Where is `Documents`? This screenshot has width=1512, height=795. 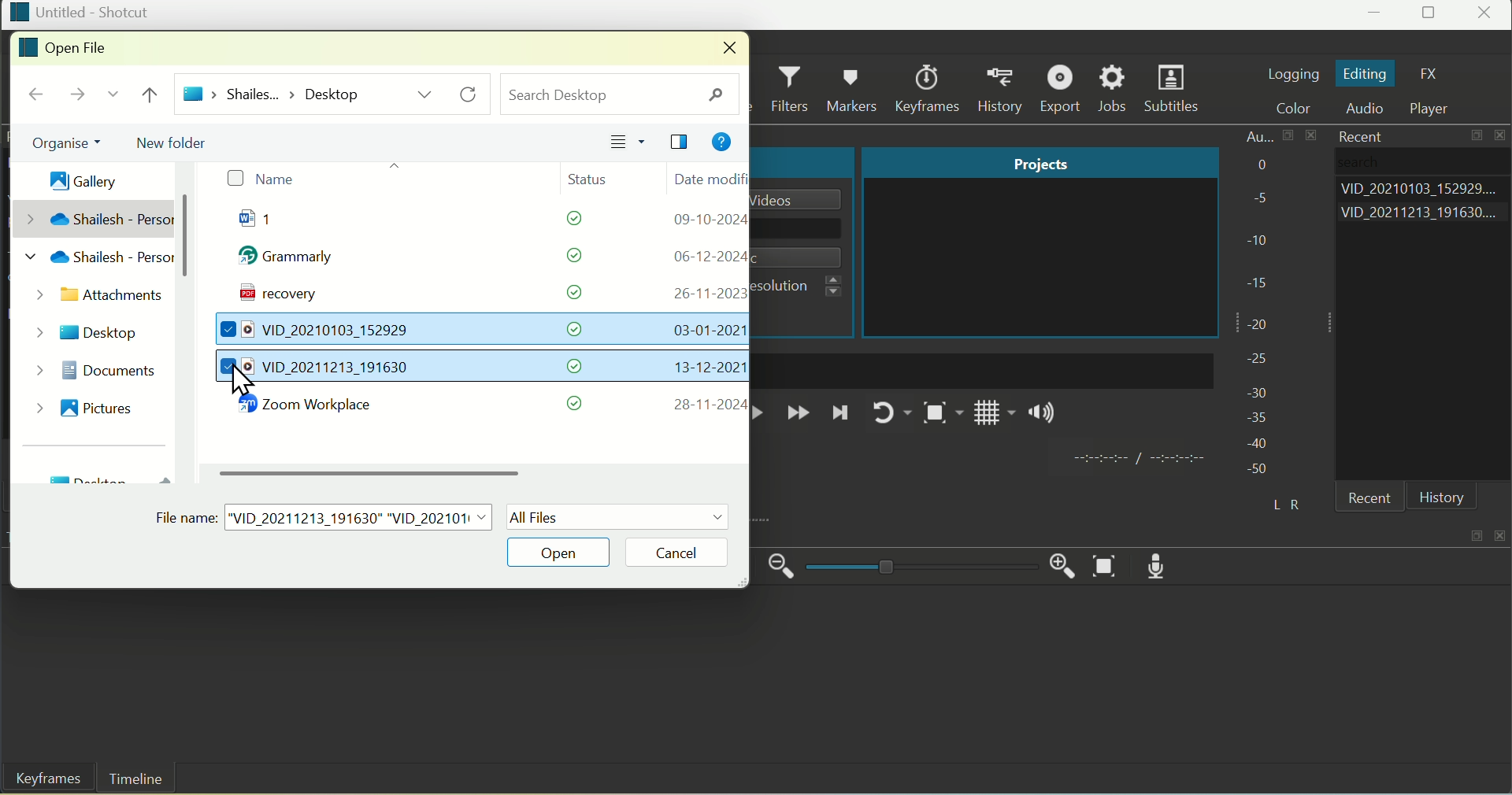 Documents is located at coordinates (94, 368).